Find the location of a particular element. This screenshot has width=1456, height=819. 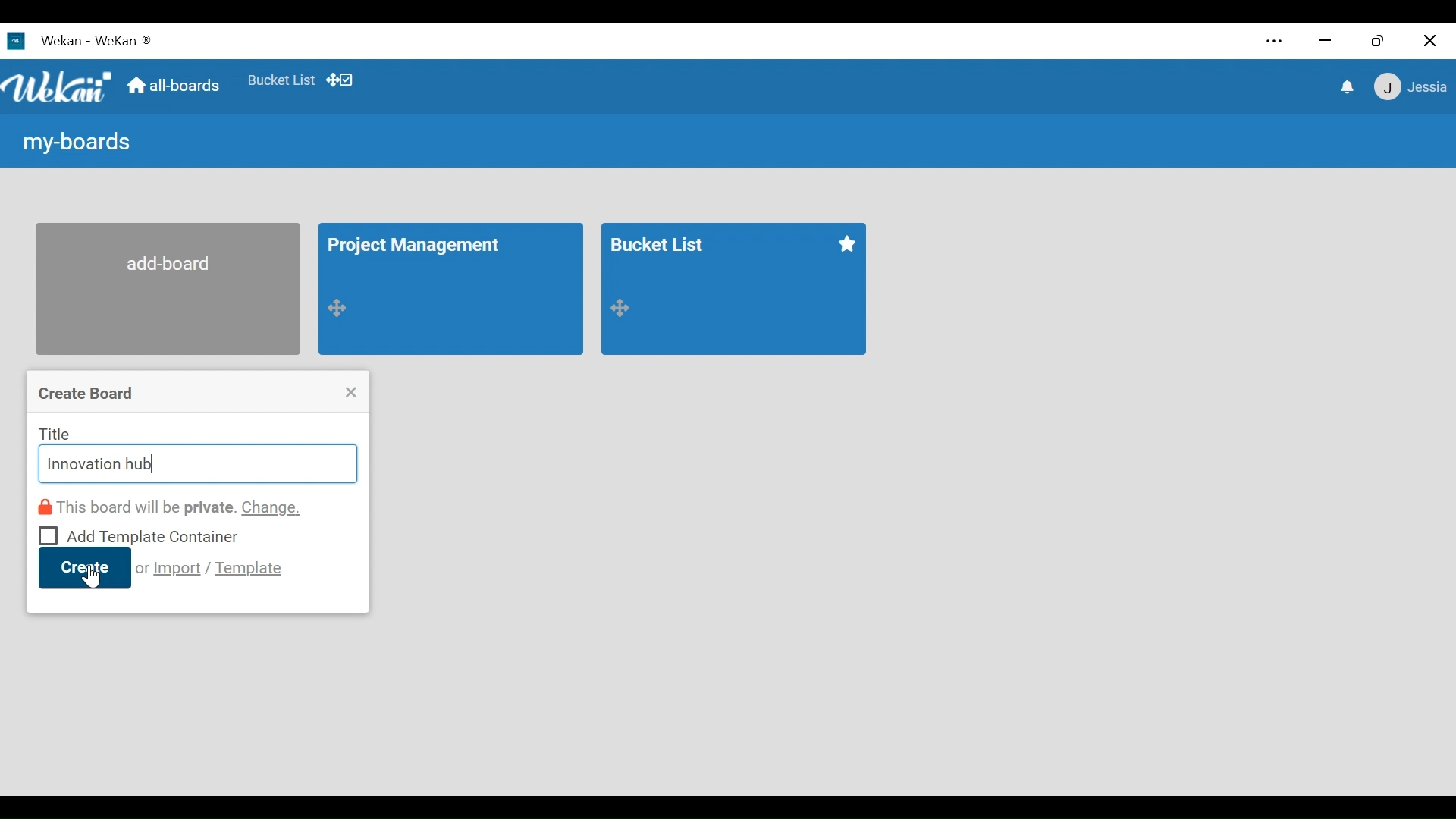

Go to Home View (all boards) is located at coordinates (172, 86).